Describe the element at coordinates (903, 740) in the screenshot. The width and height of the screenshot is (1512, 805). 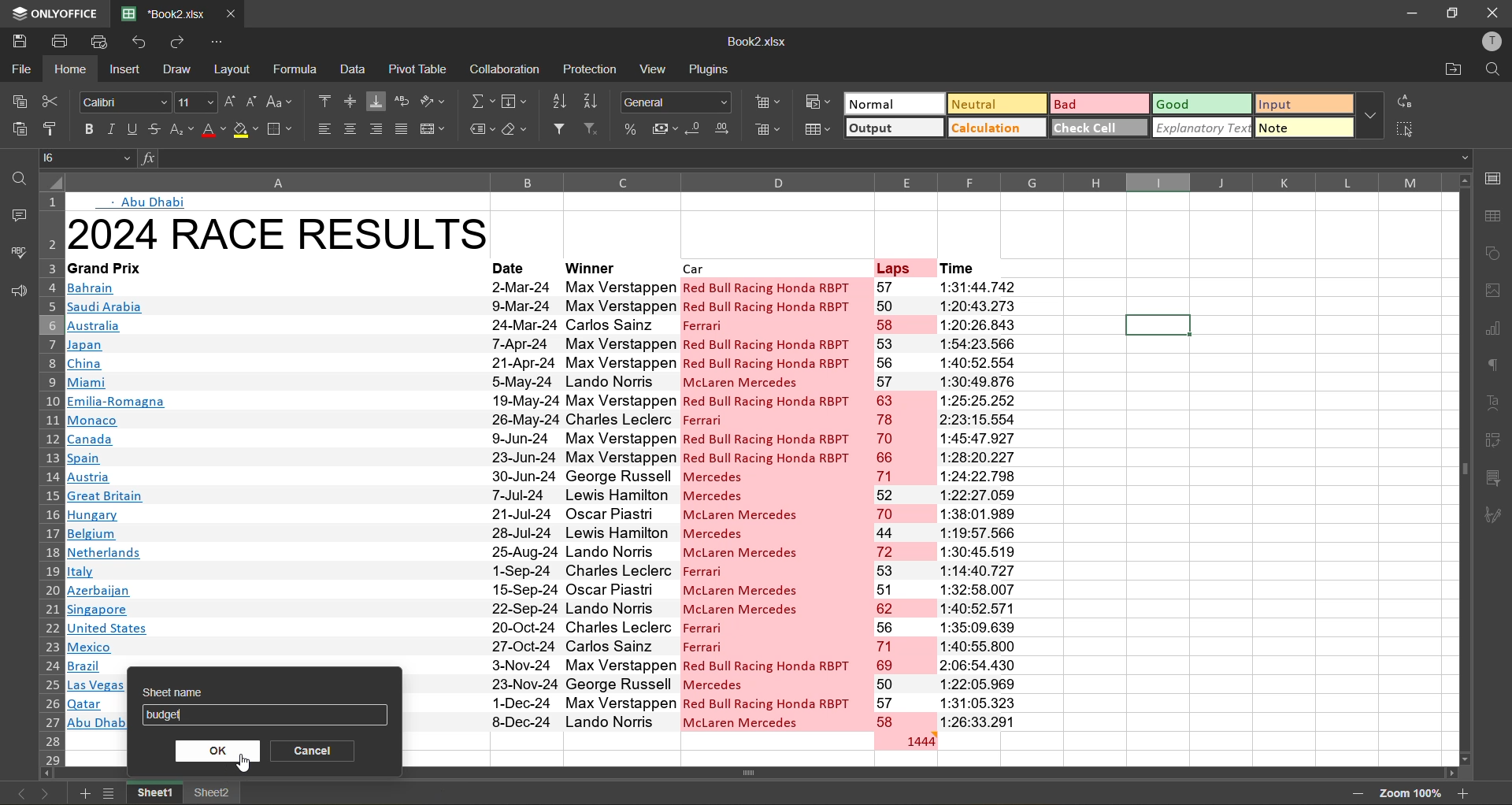
I see `total` at that location.